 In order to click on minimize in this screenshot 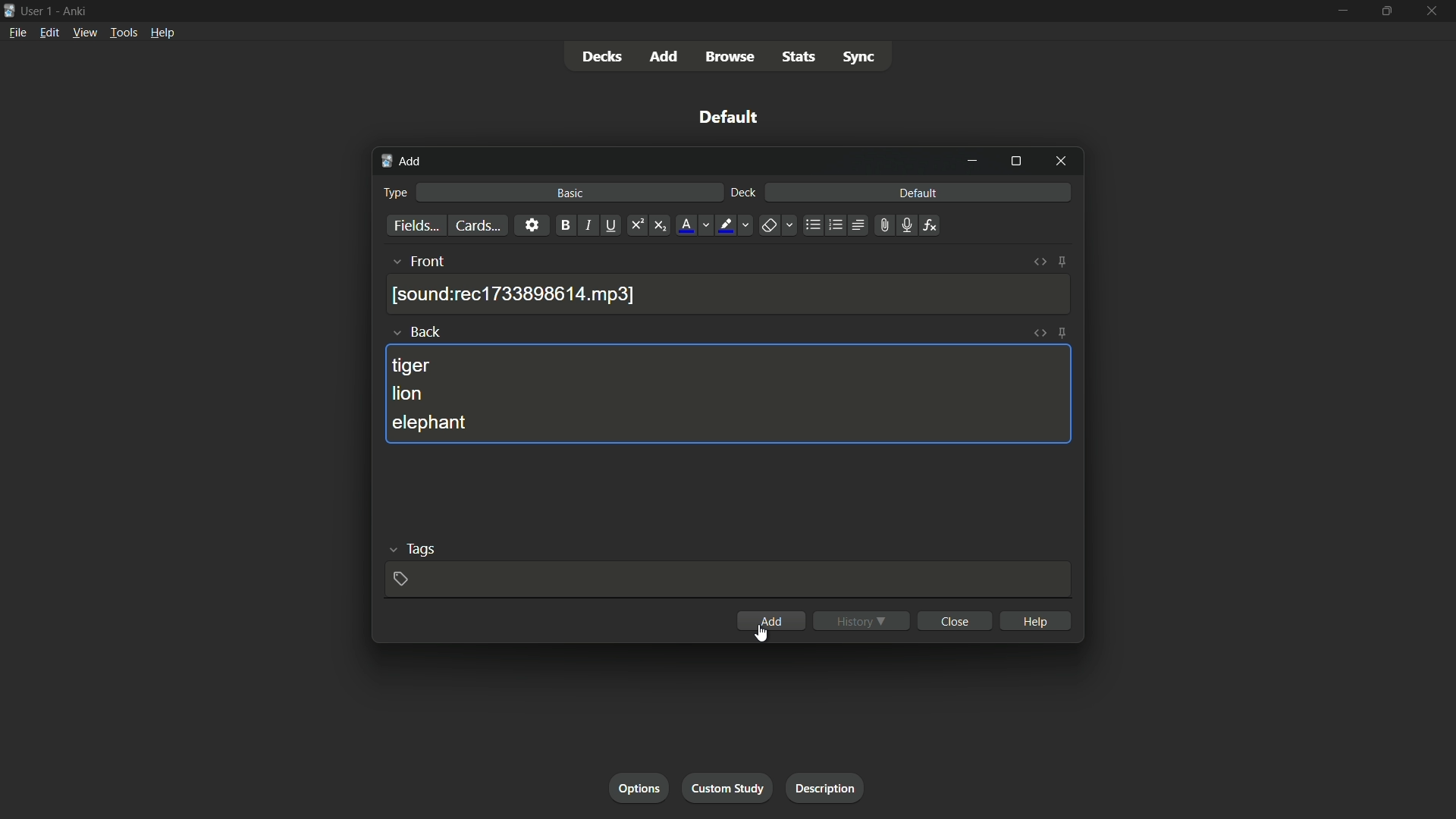, I will do `click(1341, 11)`.